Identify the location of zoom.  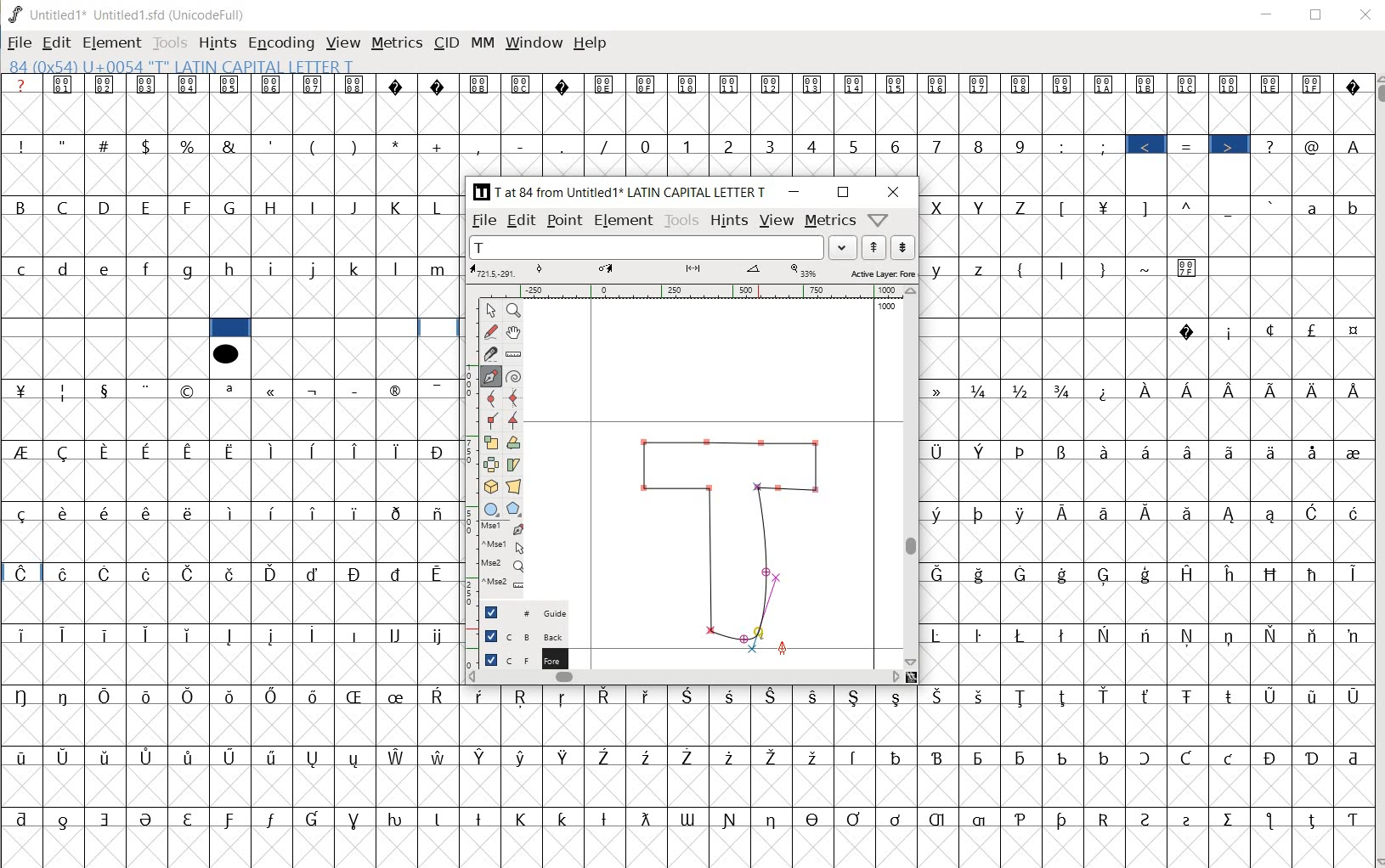
(516, 309).